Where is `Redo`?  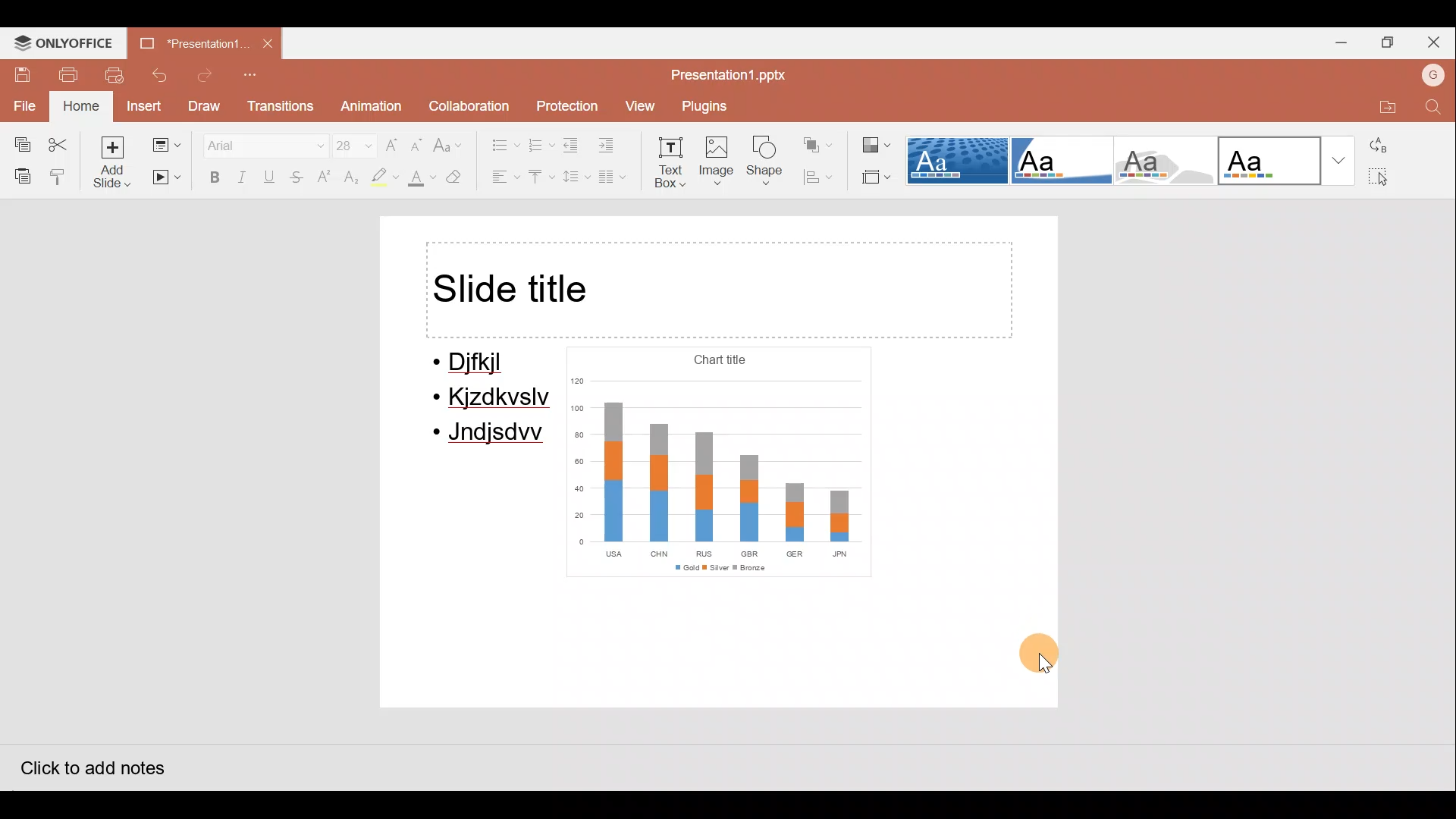 Redo is located at coordinates (206, 75).